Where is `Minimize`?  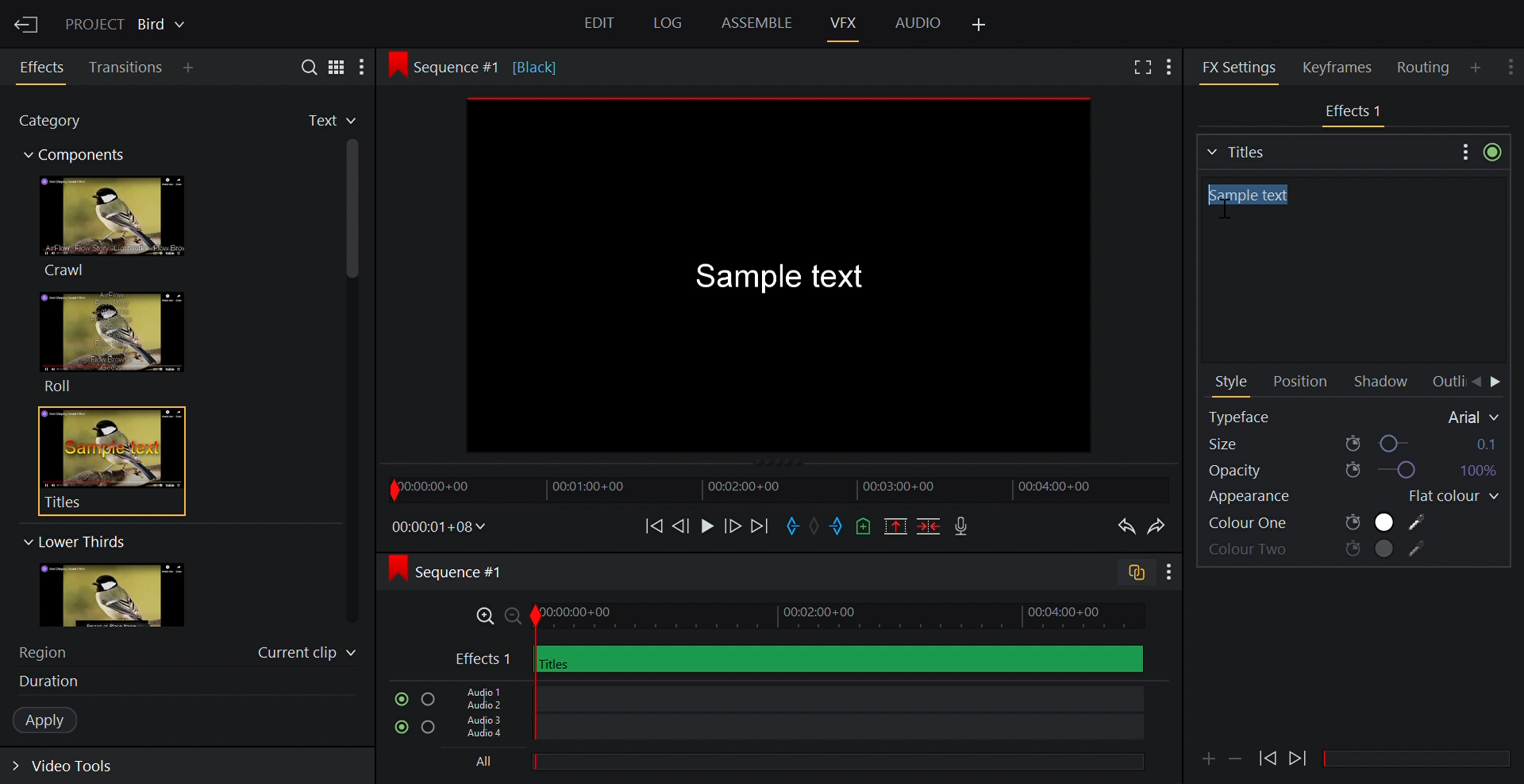
Minimize is located at coordinates (1237, 757).